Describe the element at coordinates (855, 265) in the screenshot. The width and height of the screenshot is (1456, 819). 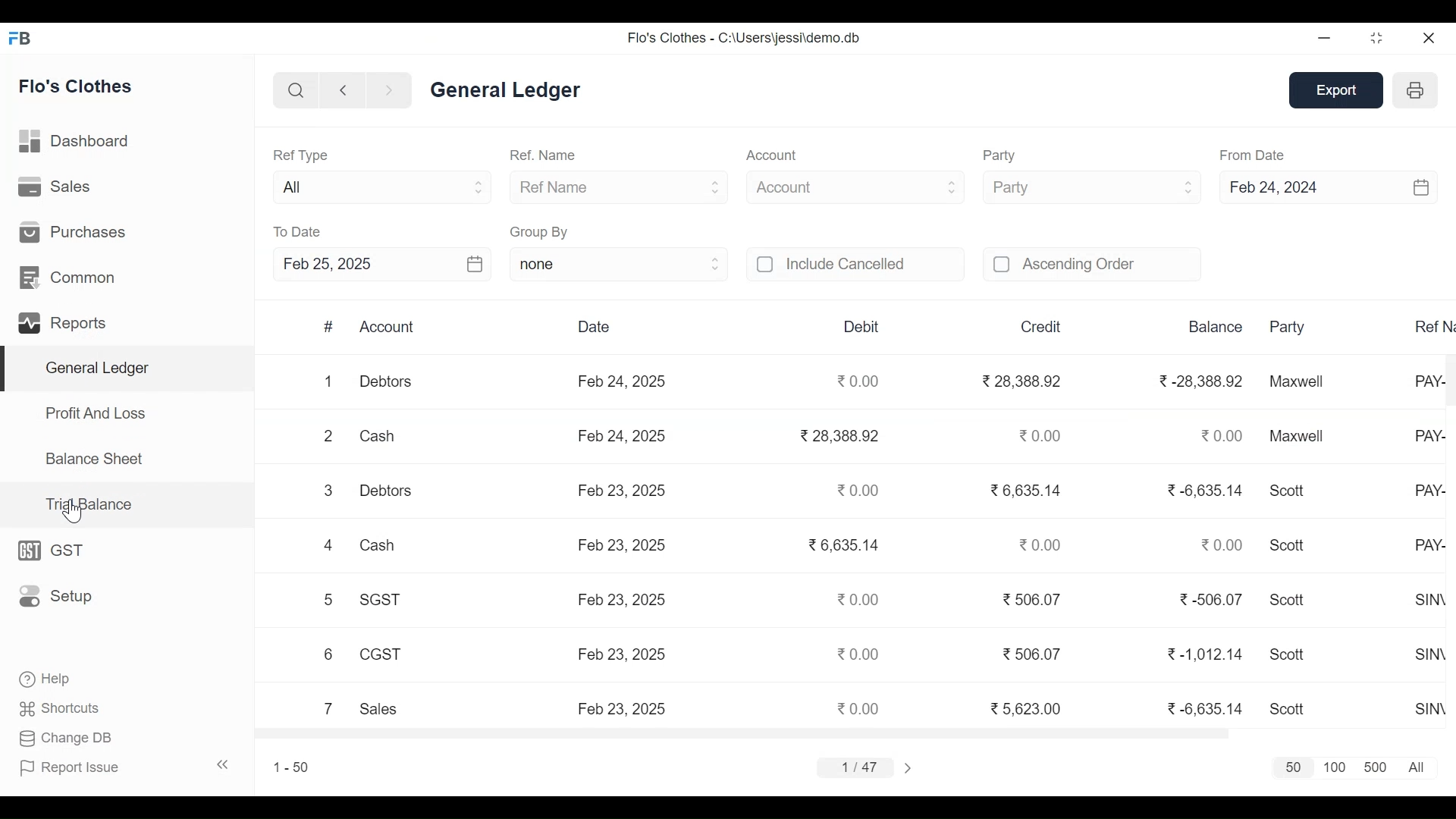
I see `(un)check Include Cancelled` at that location.